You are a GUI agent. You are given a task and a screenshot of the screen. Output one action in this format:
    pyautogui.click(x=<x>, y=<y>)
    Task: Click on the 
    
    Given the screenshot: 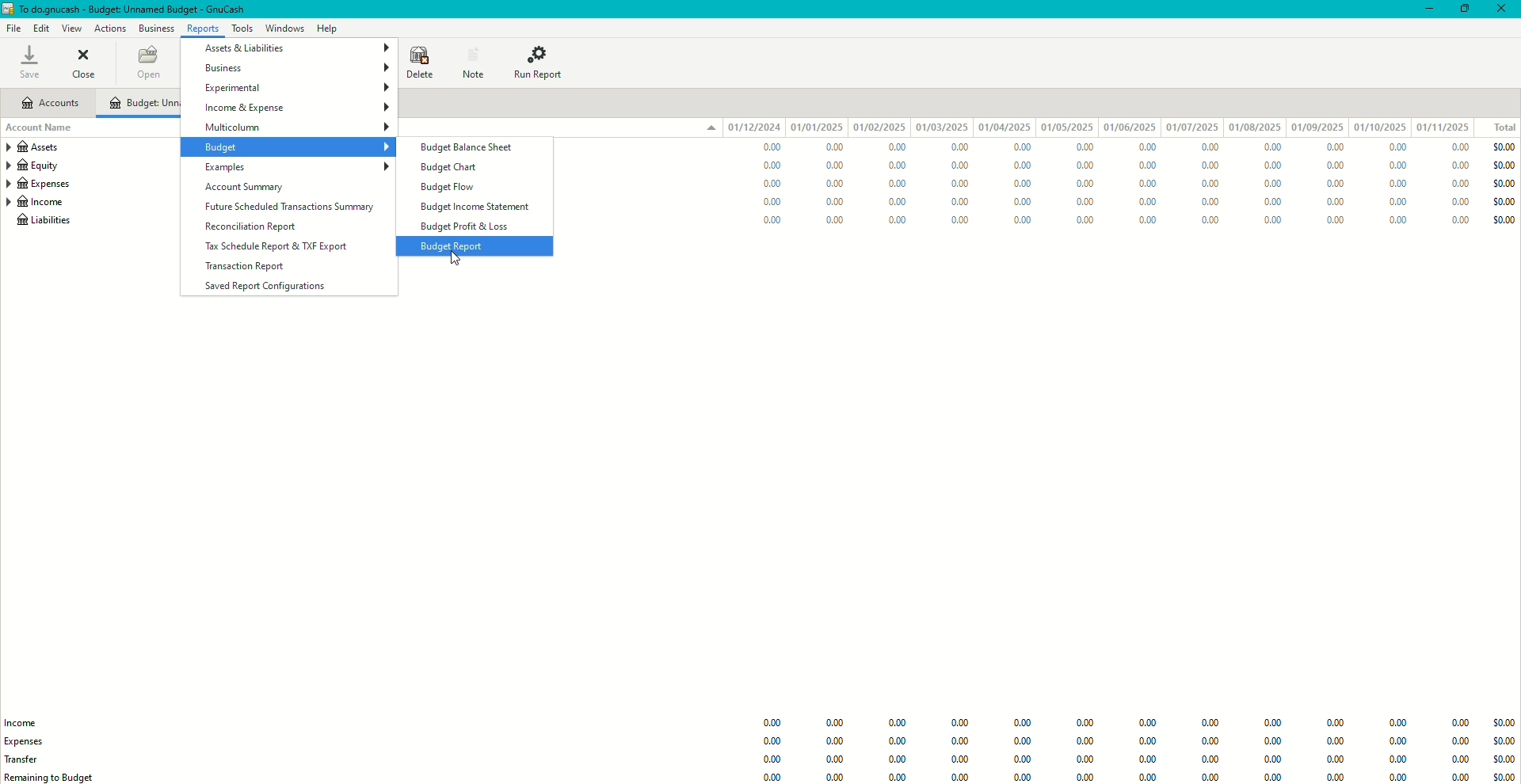 What is the action you would take?
    pyautogui.click(x=1082, y=725)
    